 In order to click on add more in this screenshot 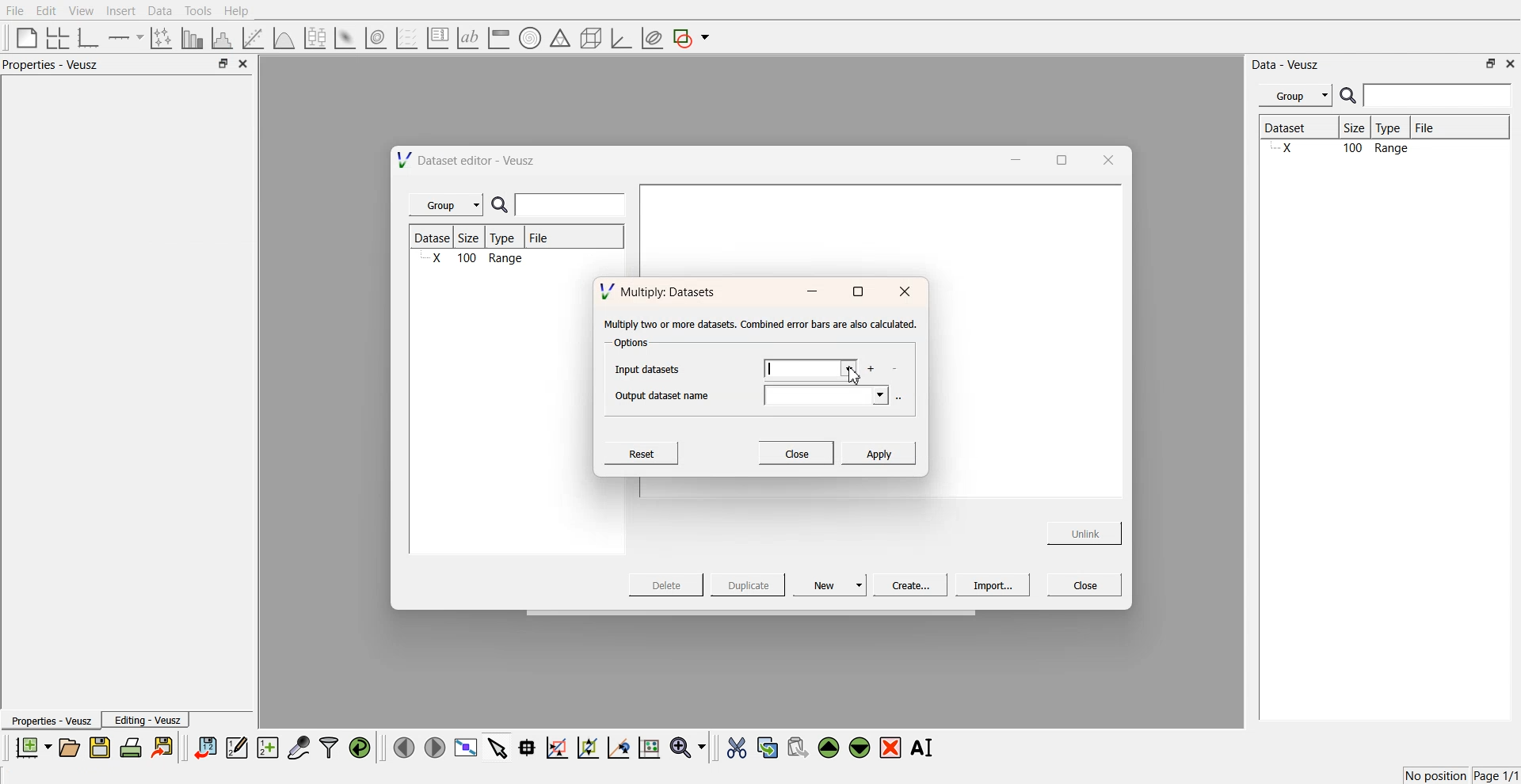, I will do `click(873, 368)`.